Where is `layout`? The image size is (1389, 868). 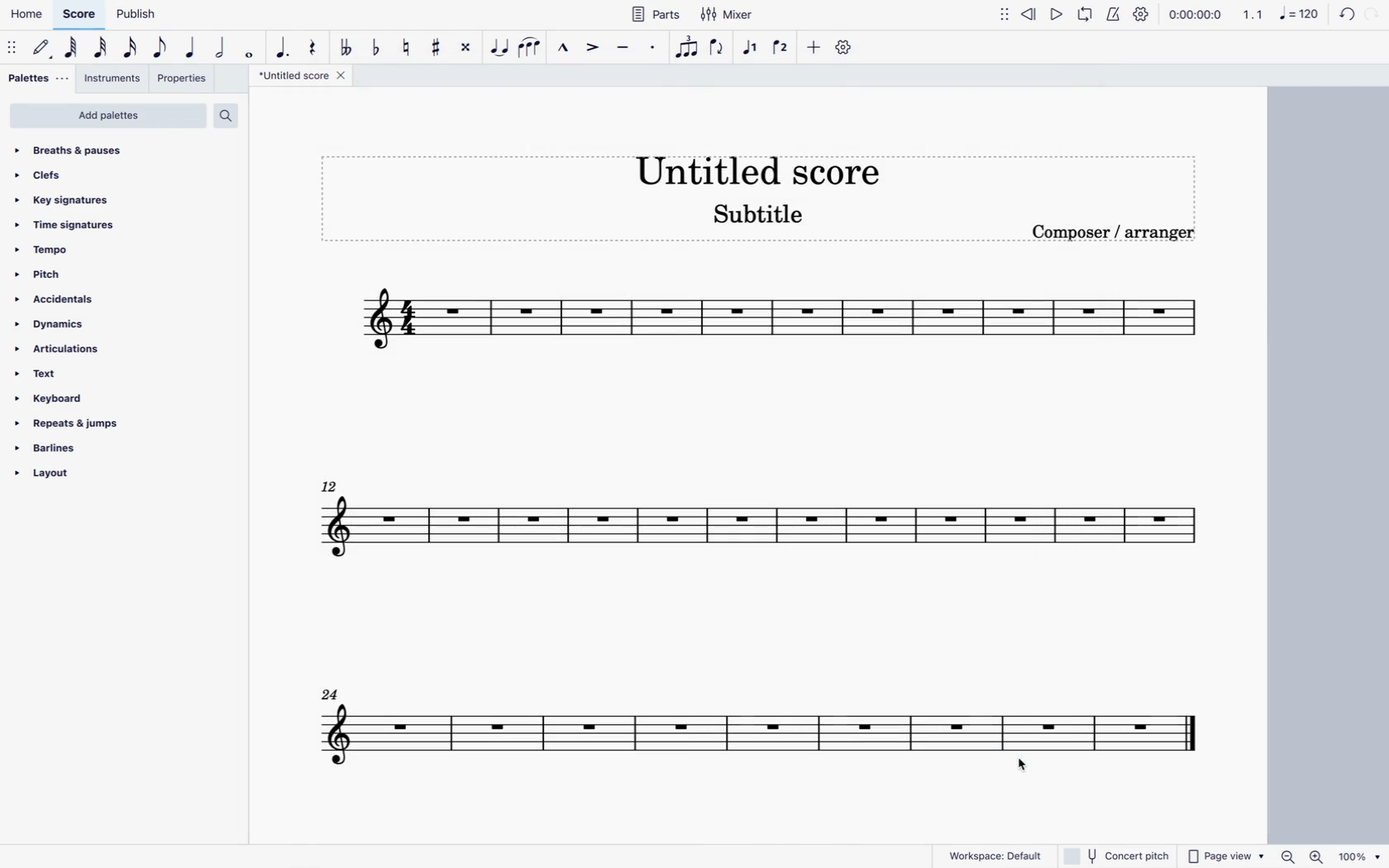 layout is located at coordinates (46, 475).